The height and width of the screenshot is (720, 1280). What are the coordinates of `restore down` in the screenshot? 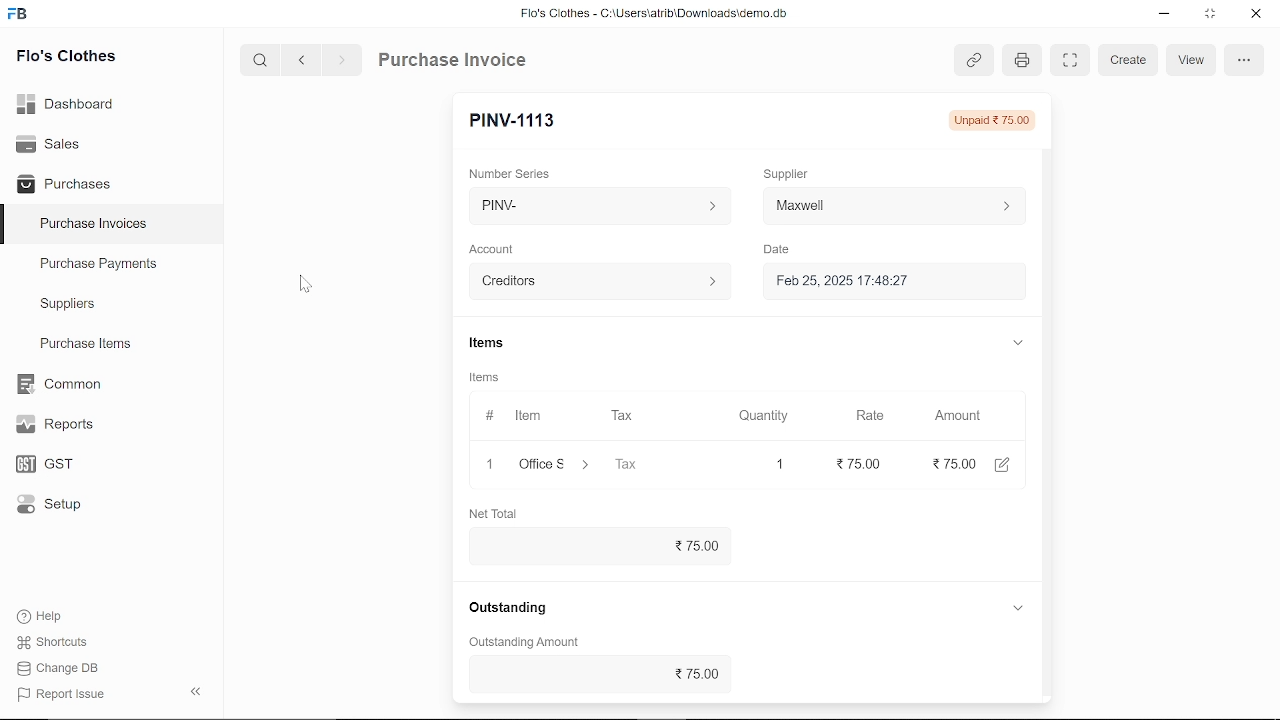 It's located at (1214, 15).